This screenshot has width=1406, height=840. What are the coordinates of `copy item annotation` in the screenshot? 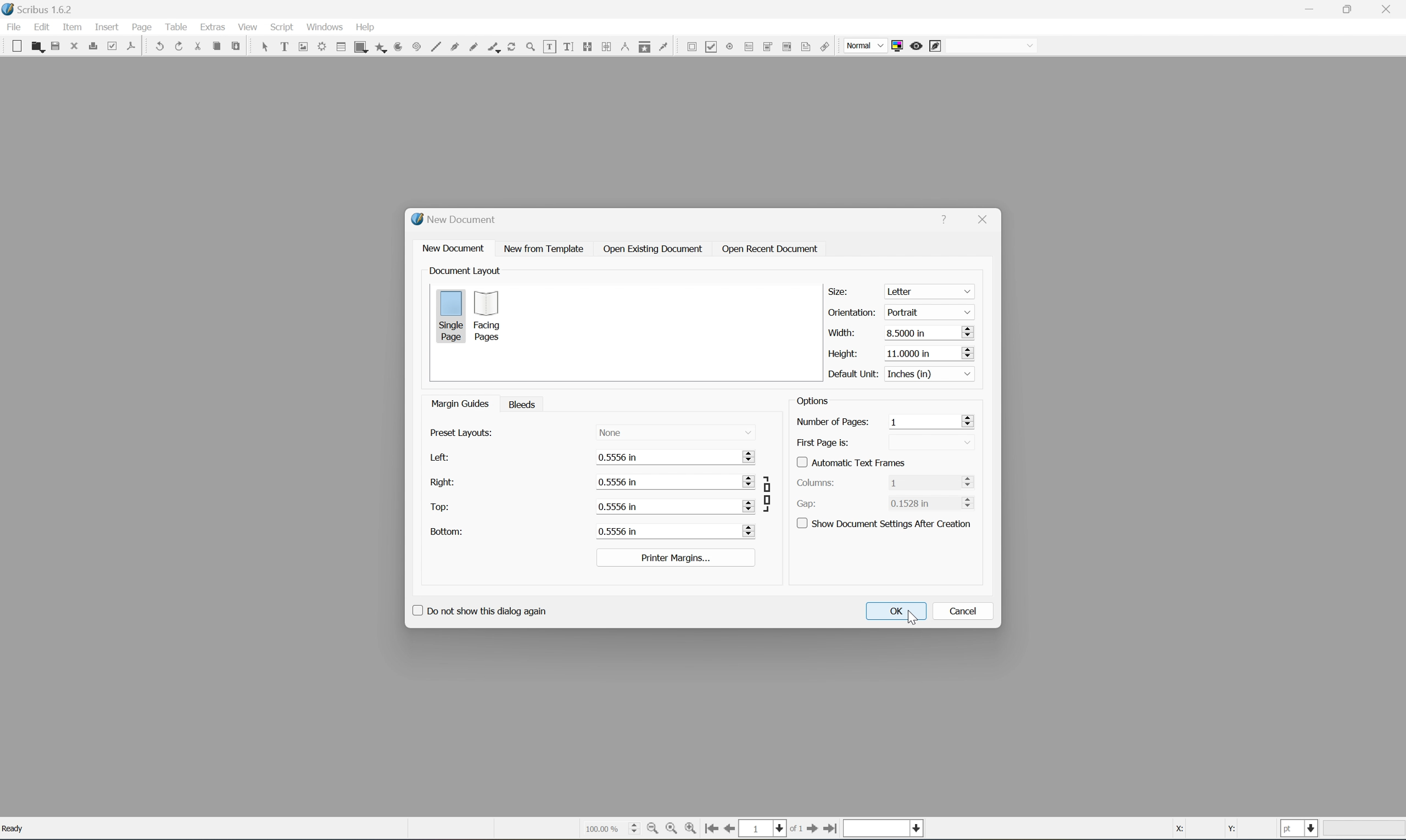 It's located at (645, 48).